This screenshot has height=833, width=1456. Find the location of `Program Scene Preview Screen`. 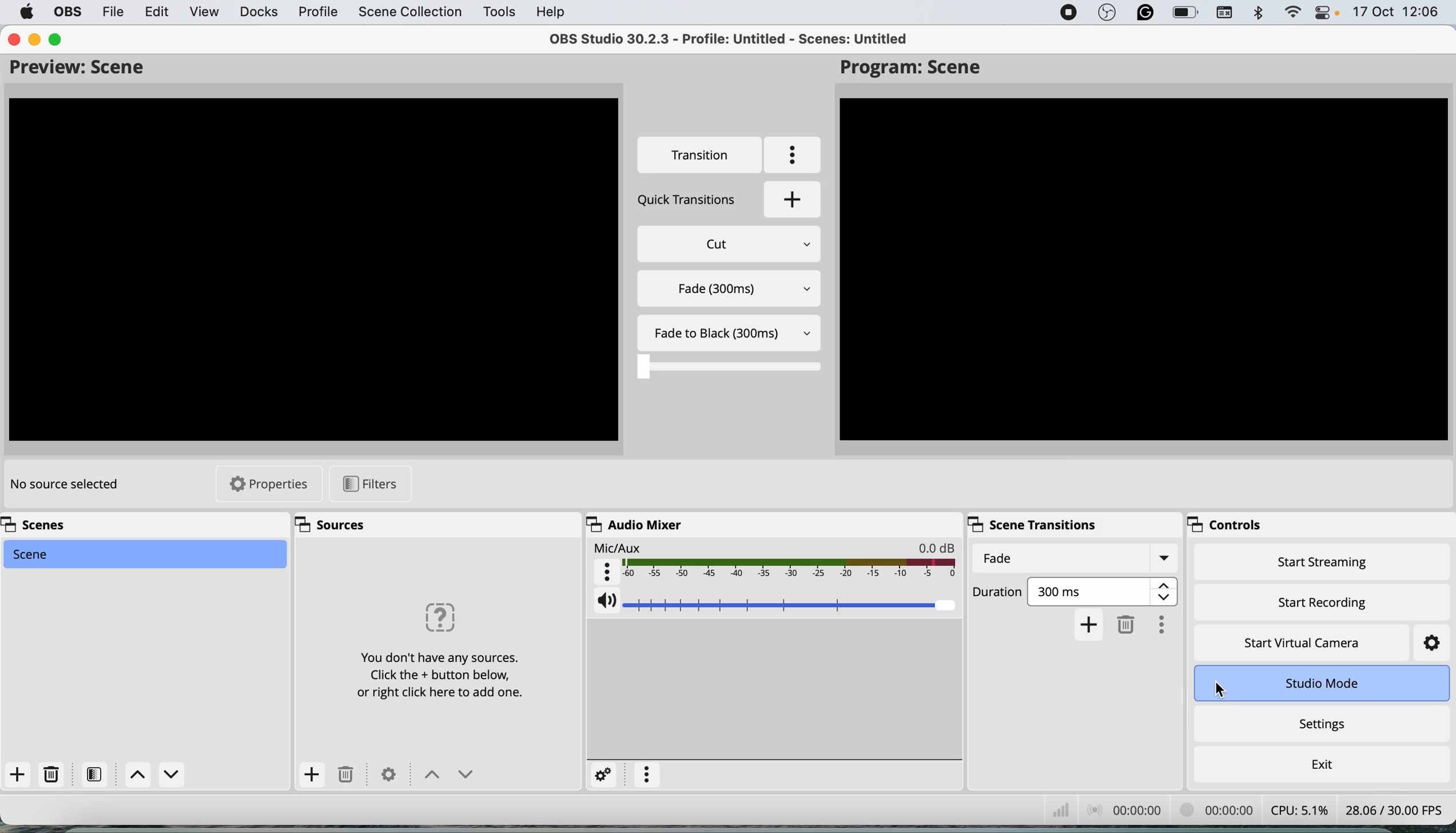

Program Scene Preview Screen is located at coordinates (1148, 271).